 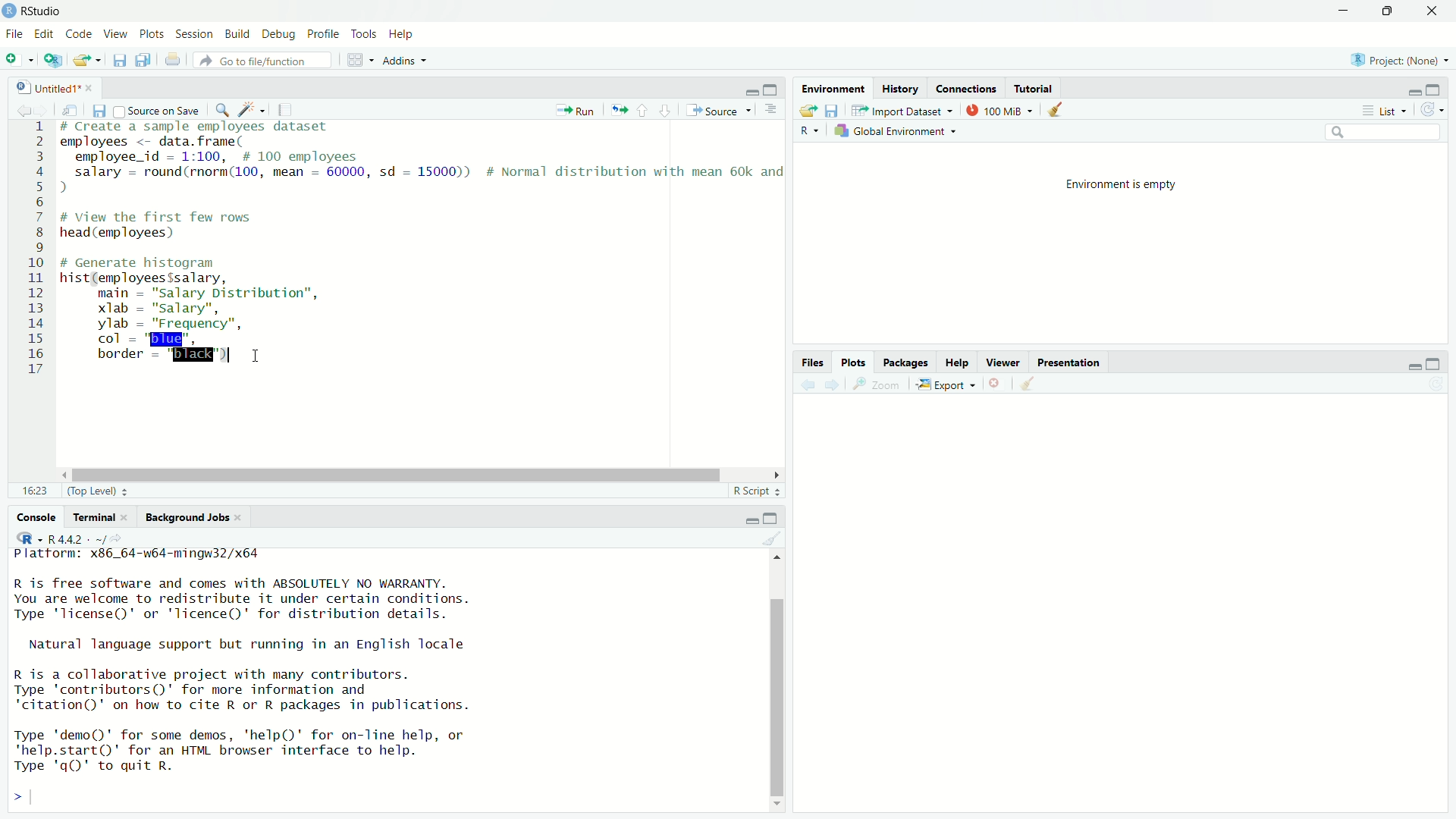 What do you see at coordinates (175, 60) in the screenshot?
I see `file ` at bounding box center [175, 60].